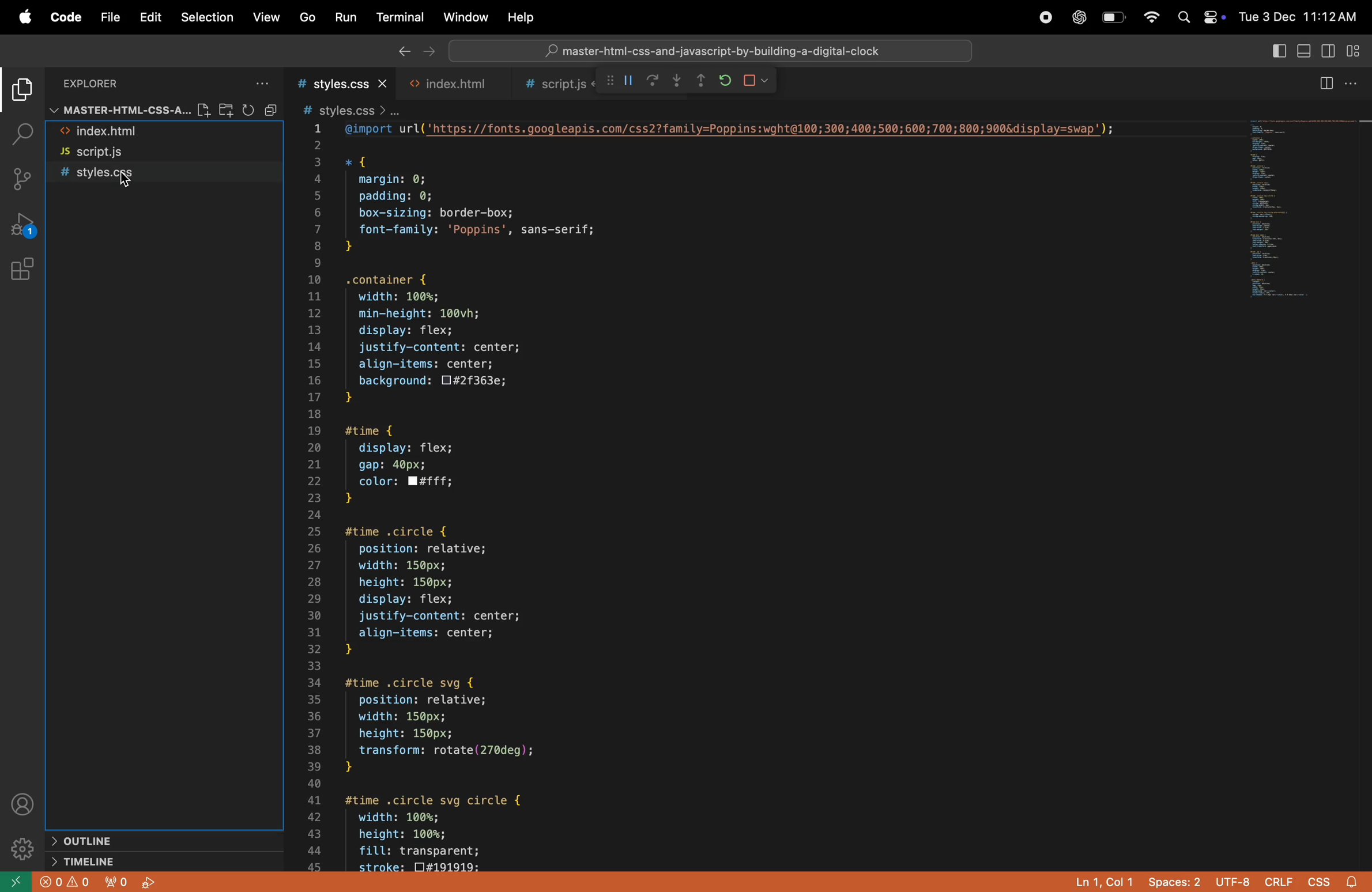 The height and width of the screenshot is (892, 1372). I want to click on toogle primary side bar, so click(1277, 52).